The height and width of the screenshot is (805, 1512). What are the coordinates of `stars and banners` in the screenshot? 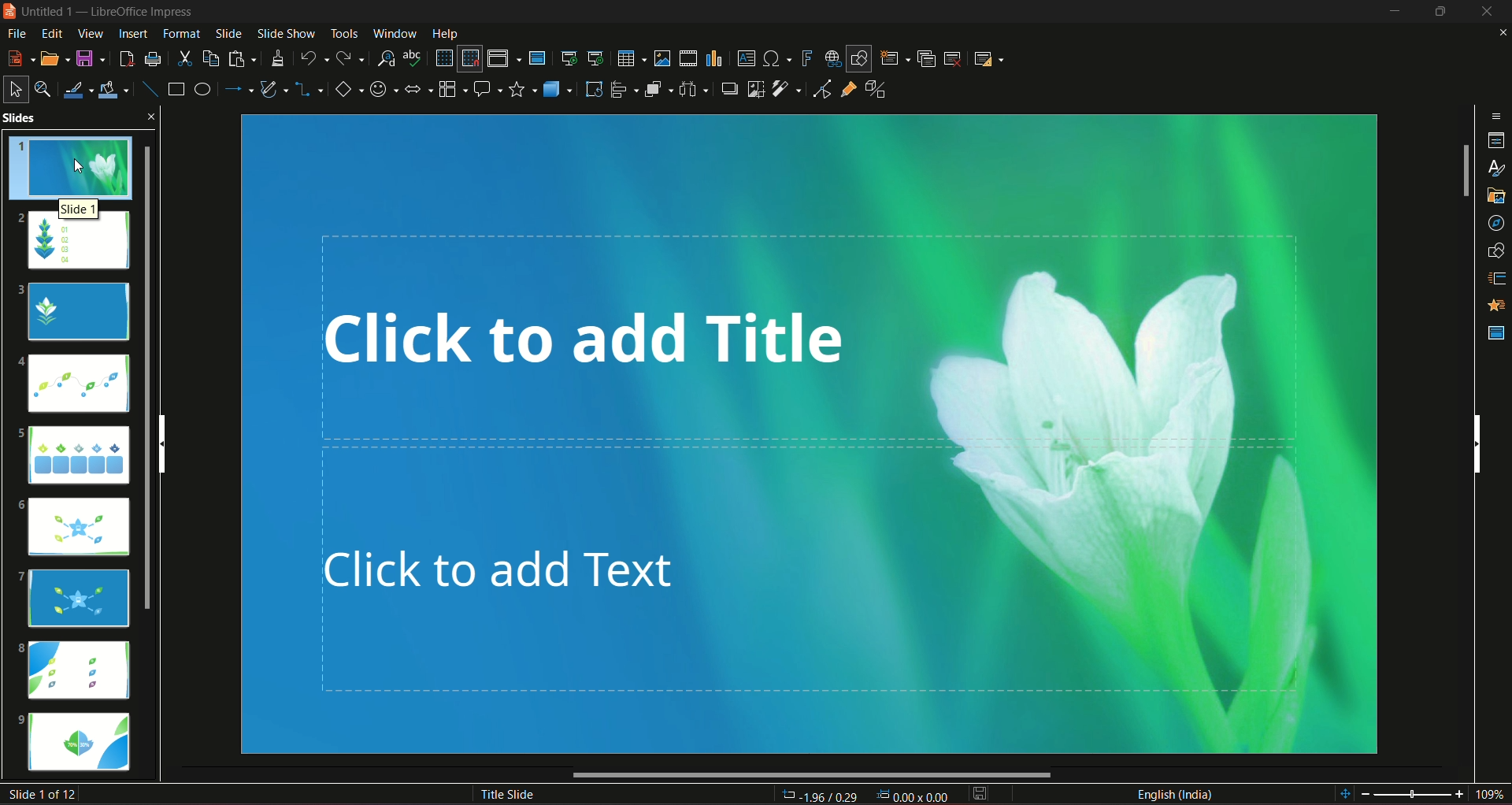 It's located at (523, 88).